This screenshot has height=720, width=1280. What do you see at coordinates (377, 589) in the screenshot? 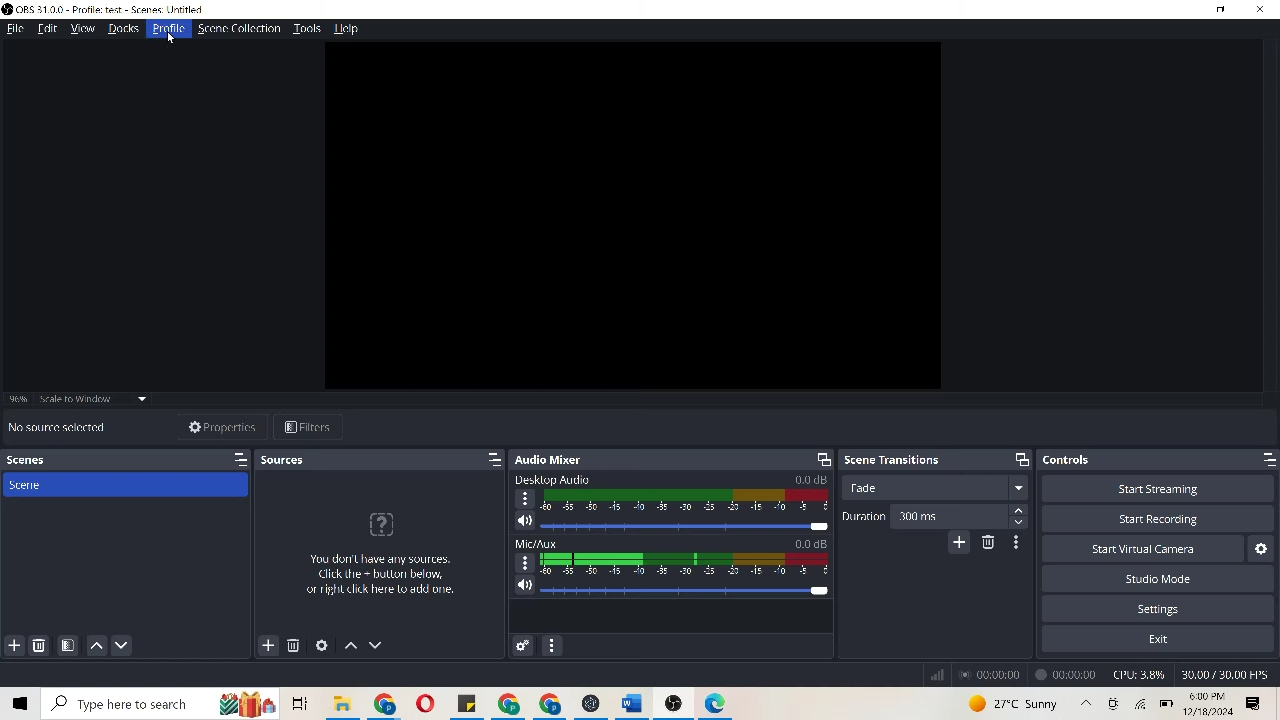
I see `You dont have any sources. Click the+button below, or right click here to add one` at bounding box center [377, 589].